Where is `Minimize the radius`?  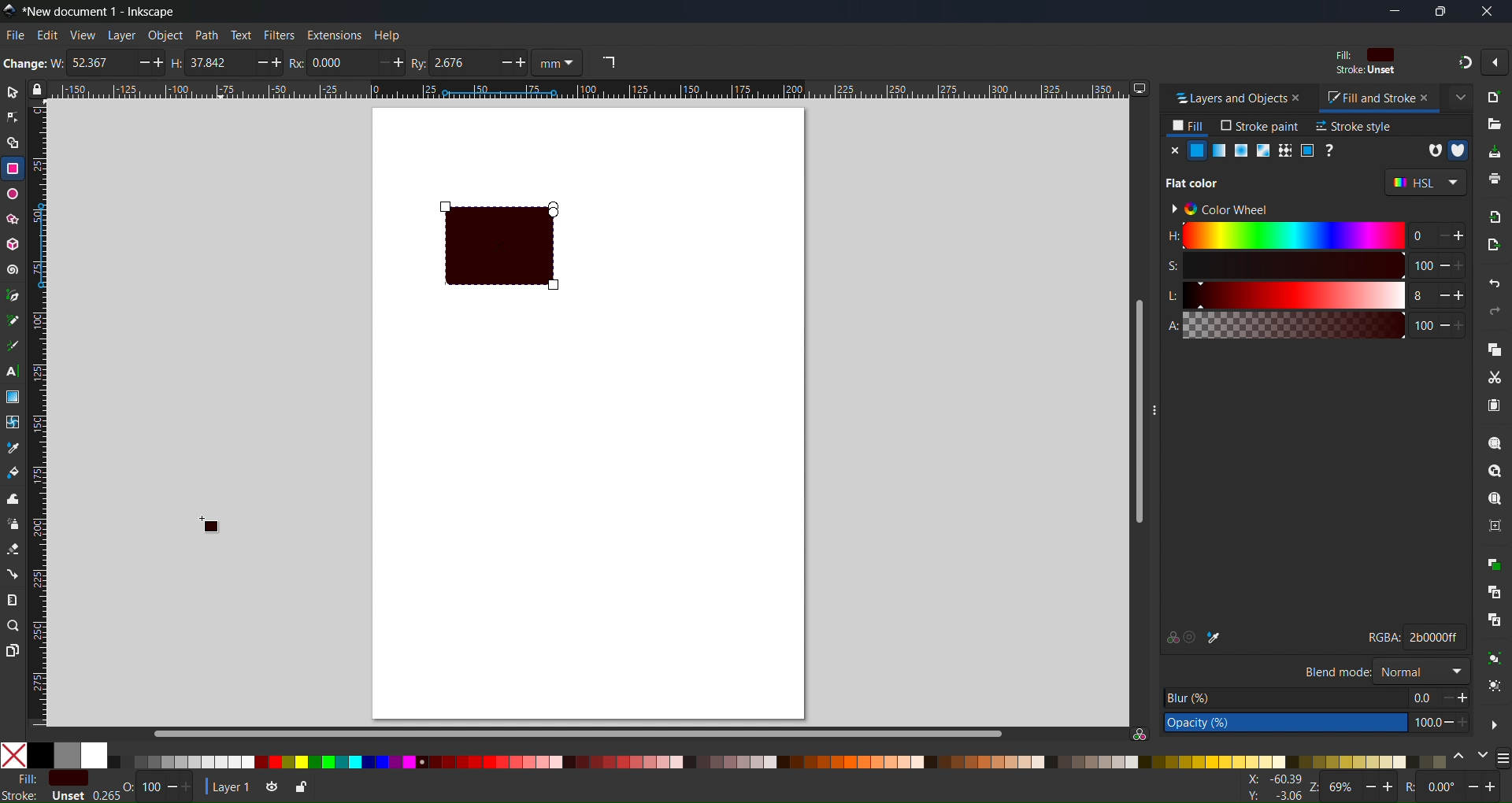
Minimize the radius is located at coordinates (503, 64).